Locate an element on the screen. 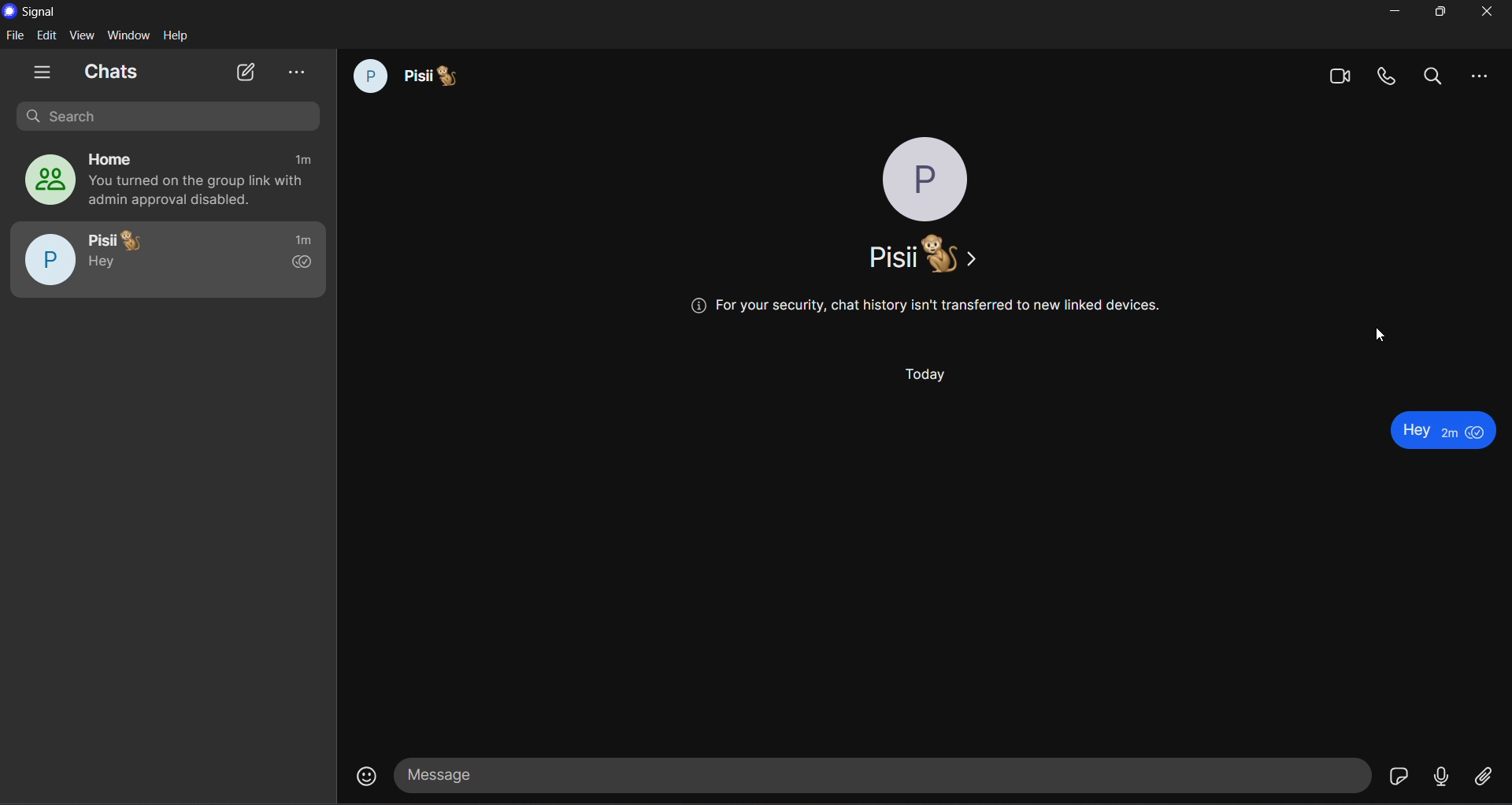  calls is located at coordinates (1388, 79).